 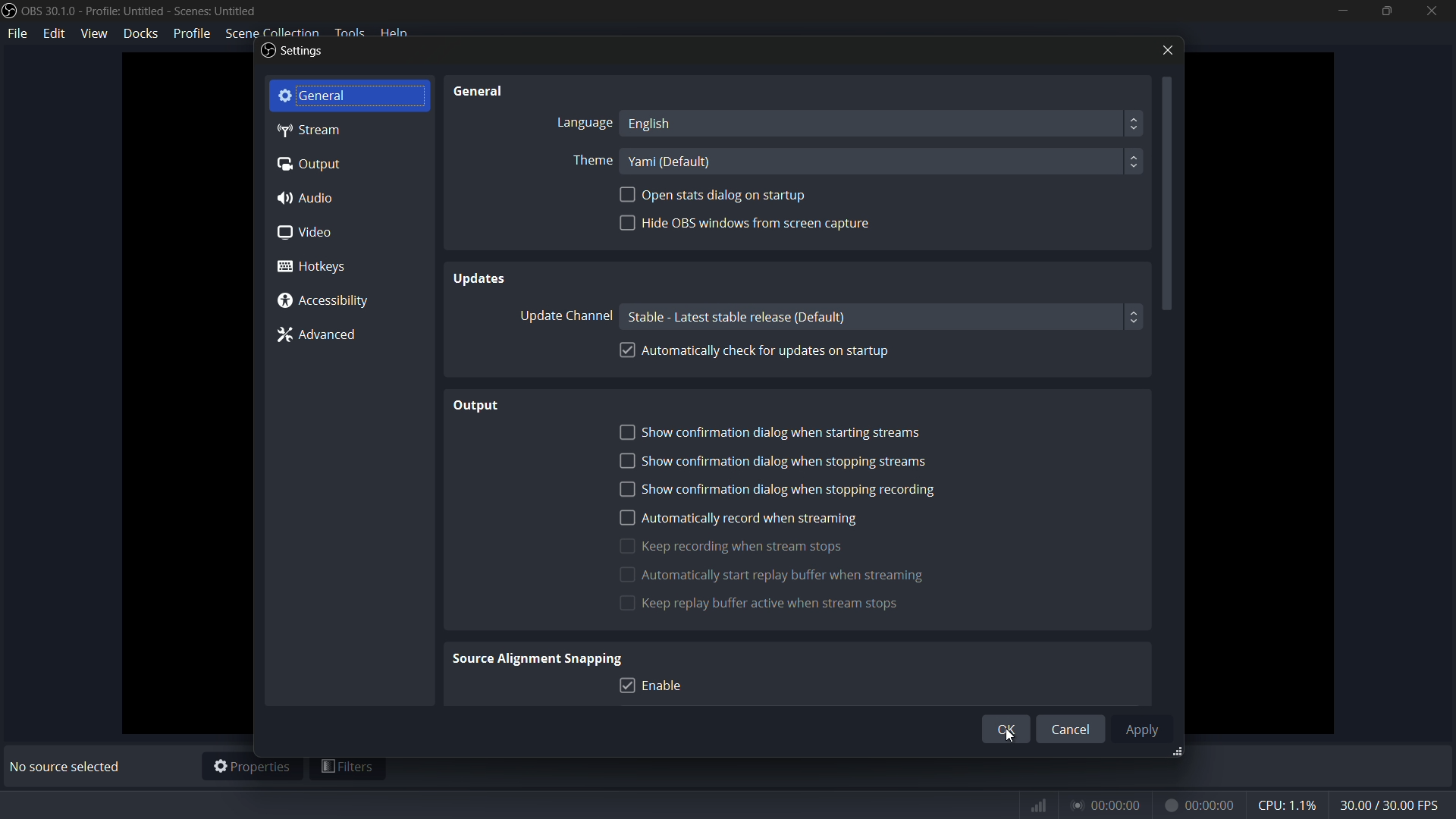 I want to click on minimize, so click(x=1340, y=11).